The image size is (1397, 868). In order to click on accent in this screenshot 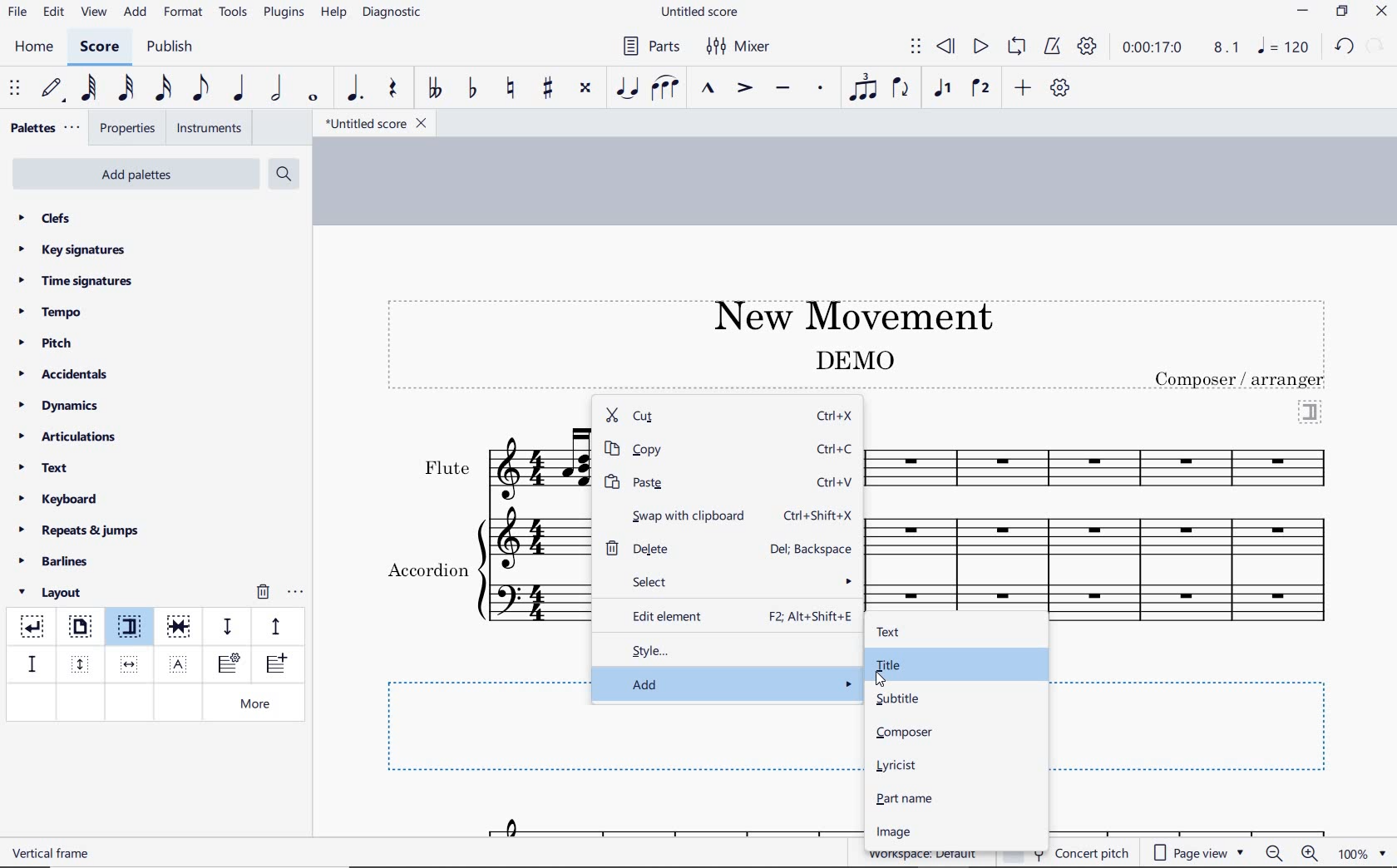, I will do `click(744, 88)`.